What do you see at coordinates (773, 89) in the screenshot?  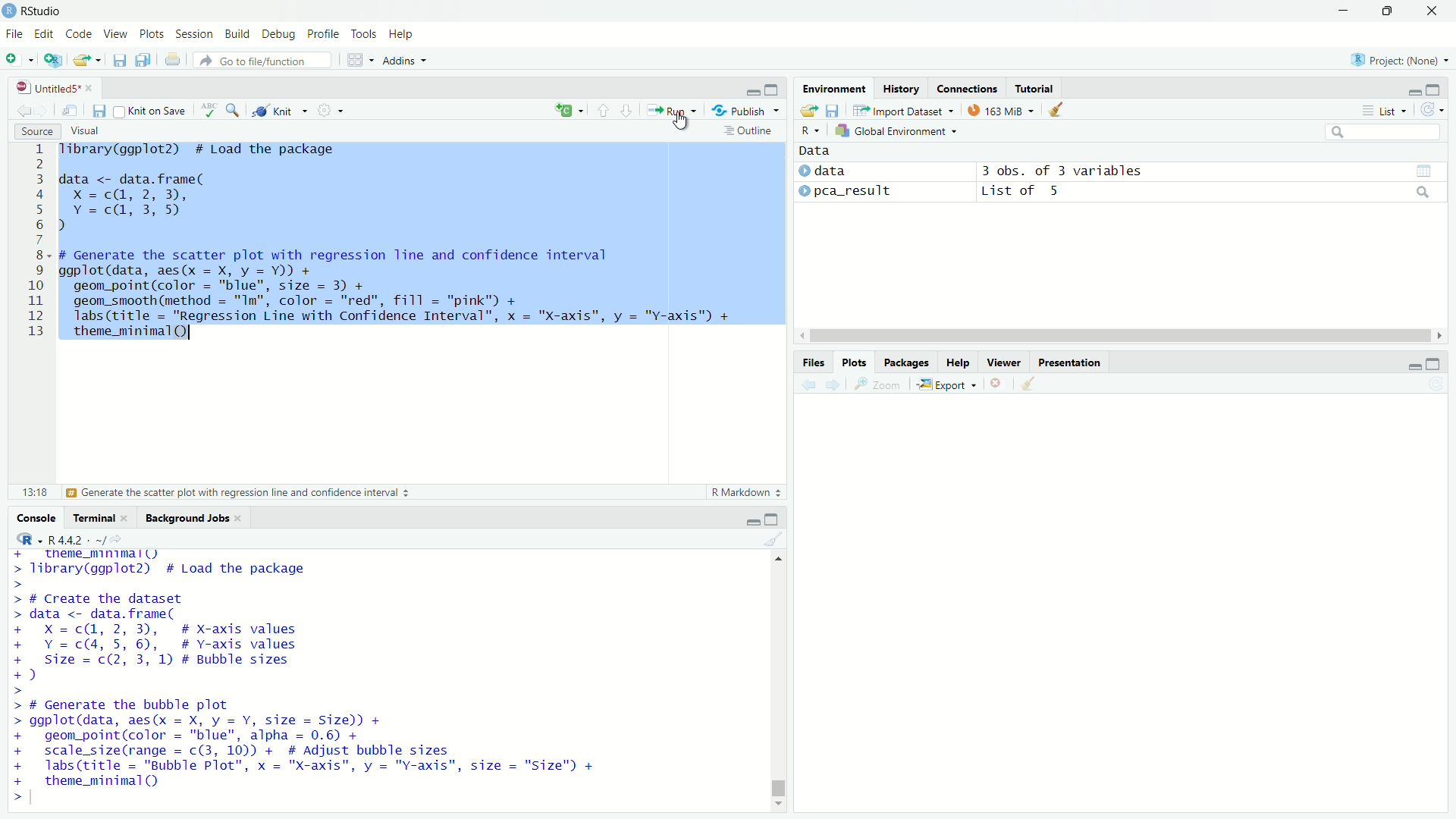 I see `expand` at bounding box center [773, 89].